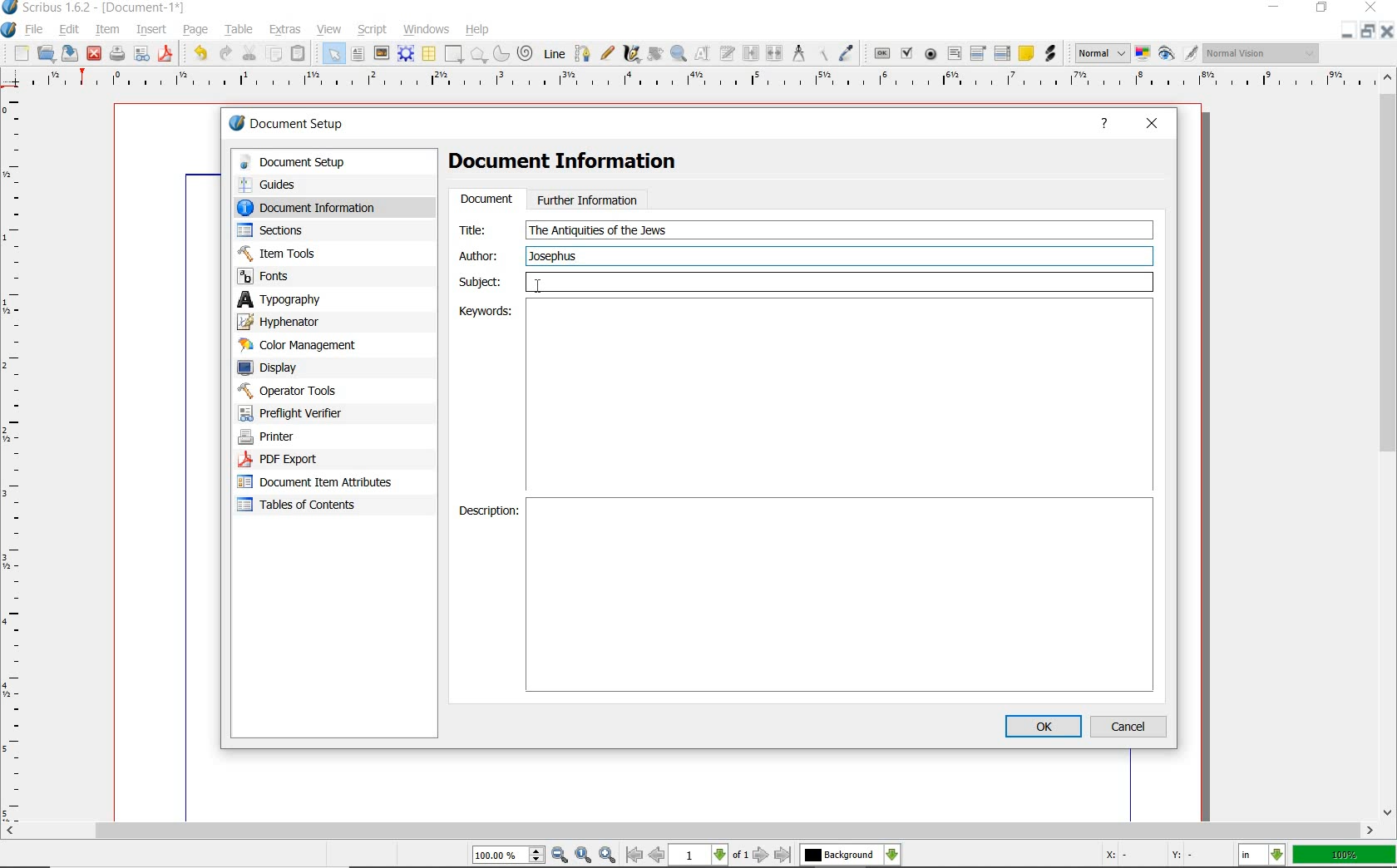 Image resolution: width=1397 pixels, height=868 pixels. I want to click on freehand line, so click(606, 52).